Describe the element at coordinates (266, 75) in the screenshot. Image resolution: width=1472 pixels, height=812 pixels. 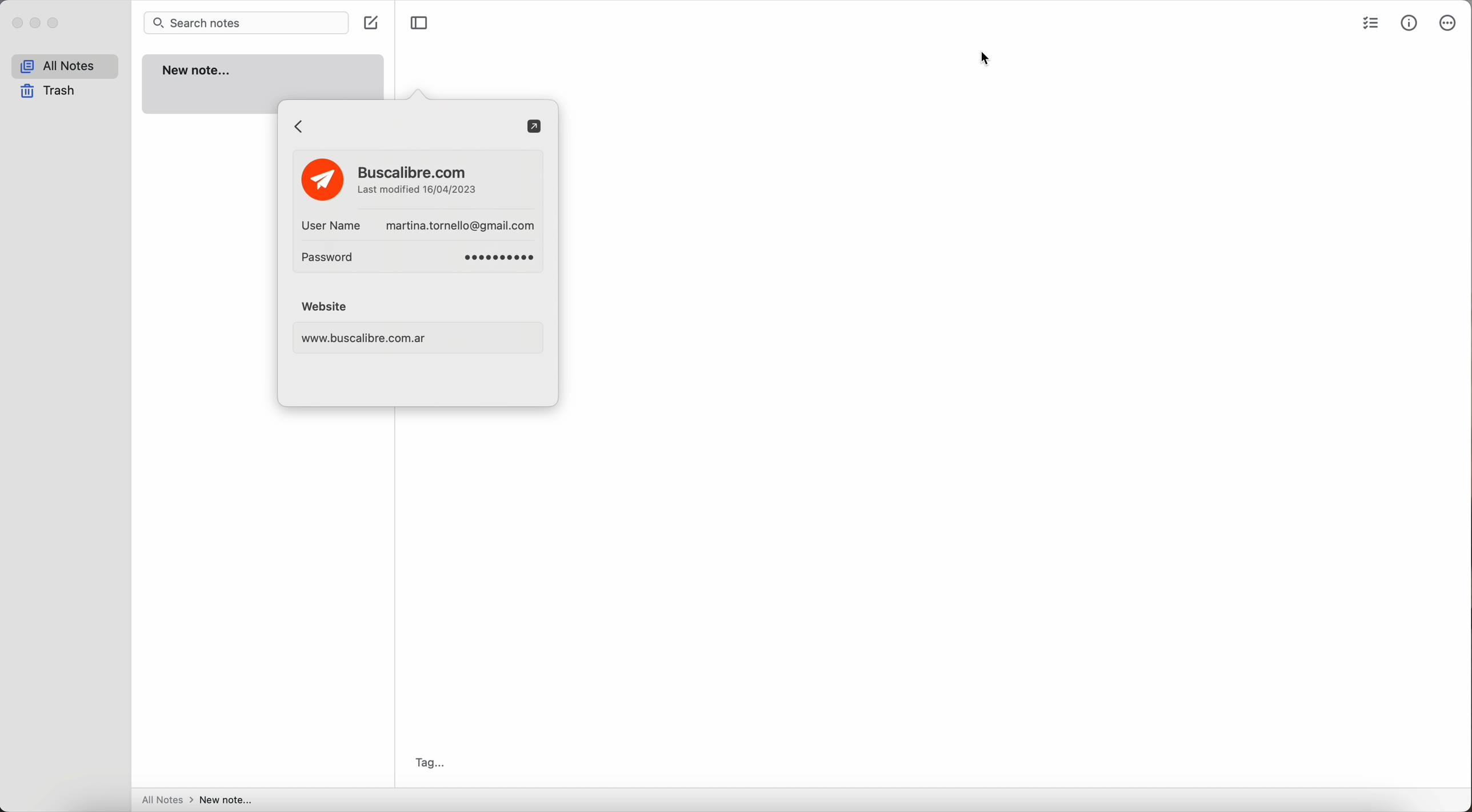
I see `new note` at that location.